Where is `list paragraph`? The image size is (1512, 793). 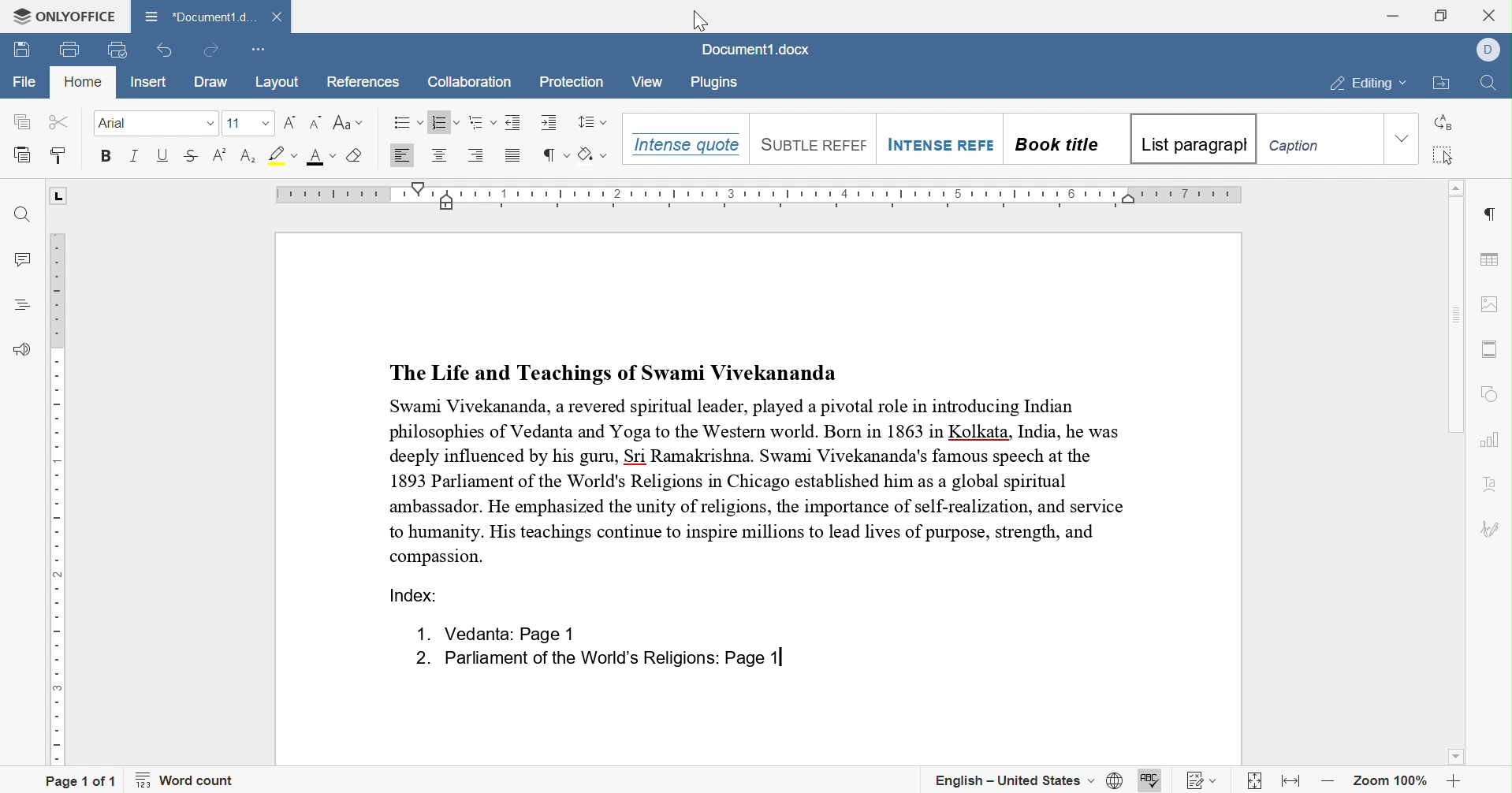
list paragraph is located at coordinates (1192, 141).